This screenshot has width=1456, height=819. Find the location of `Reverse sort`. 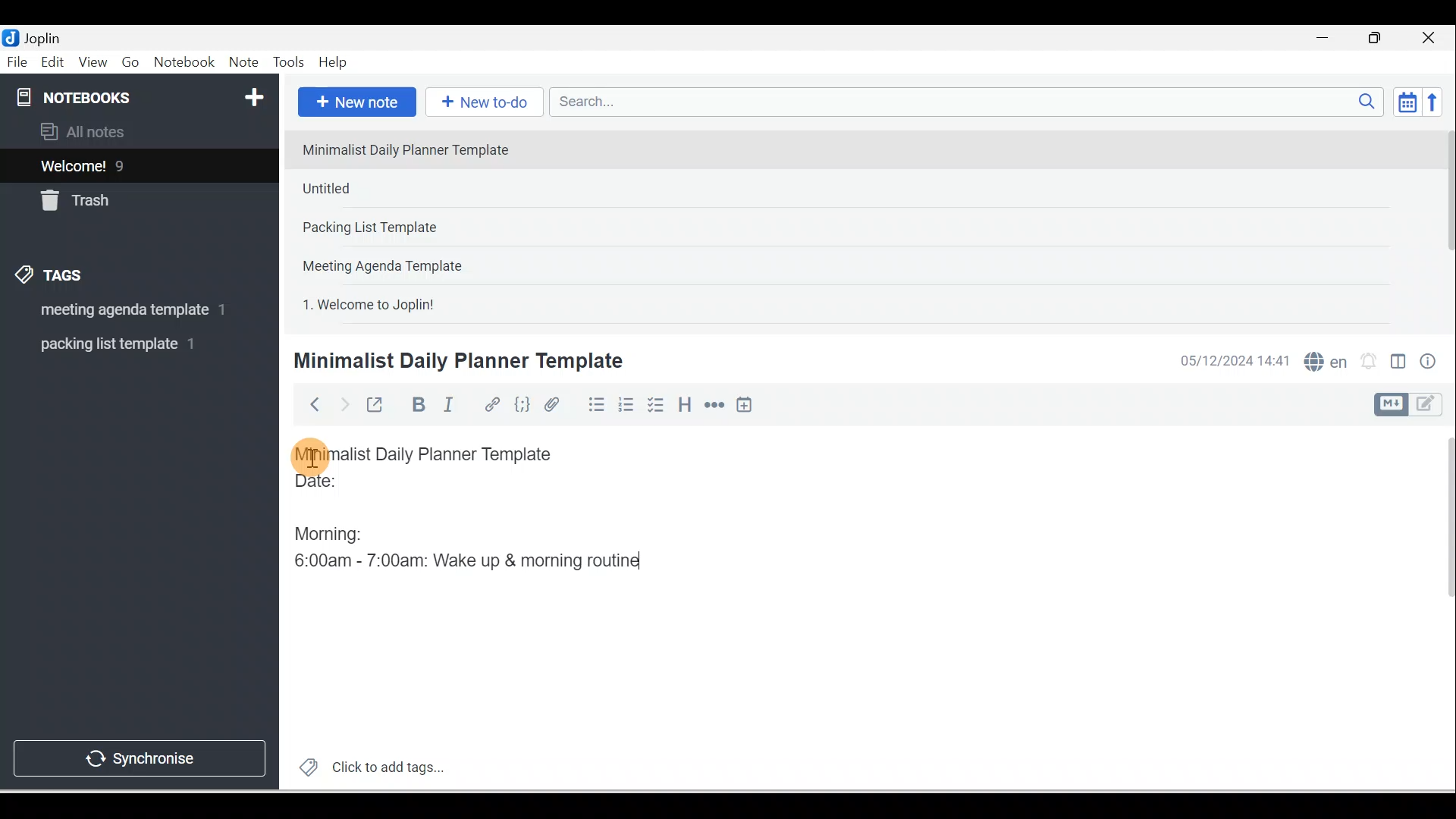

Reverse sort is located at coordinates (1437, 102).